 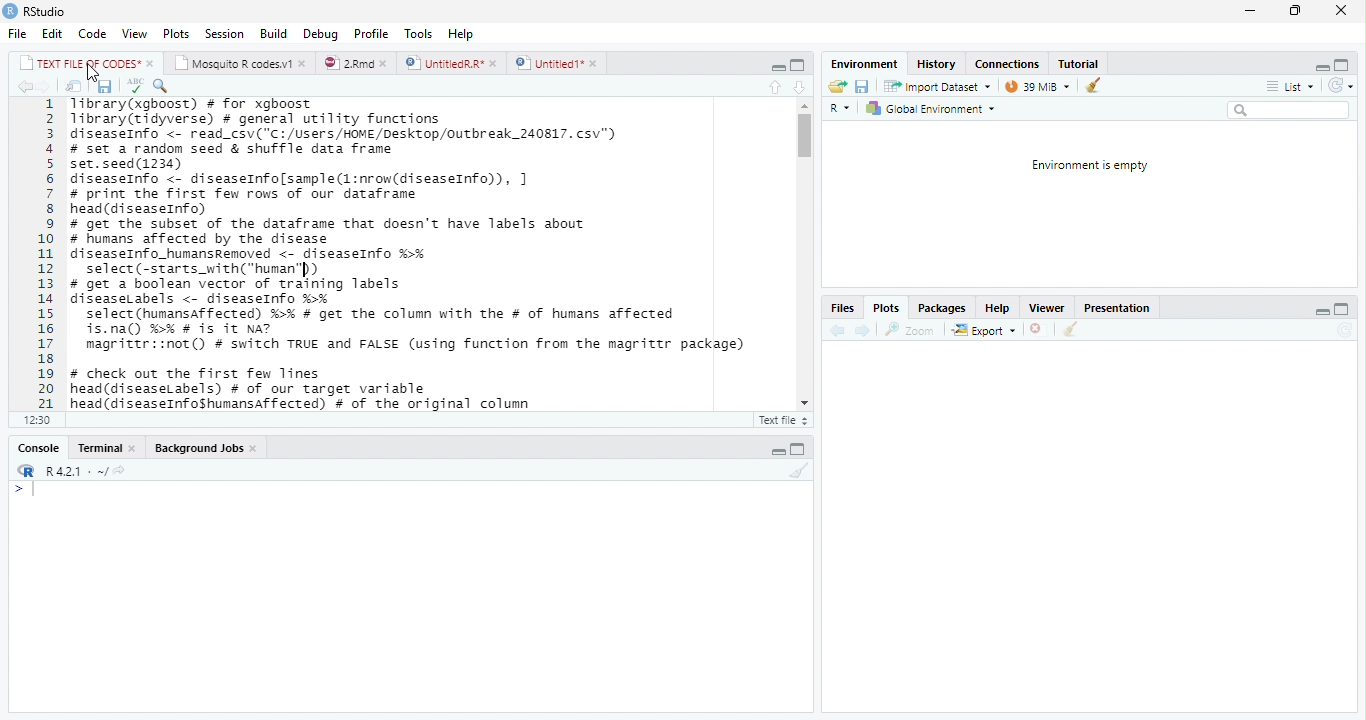 What do you see at coordinates (801, 447) in the screenshot?
I see `Maximize` at bounding box center [801, 447].